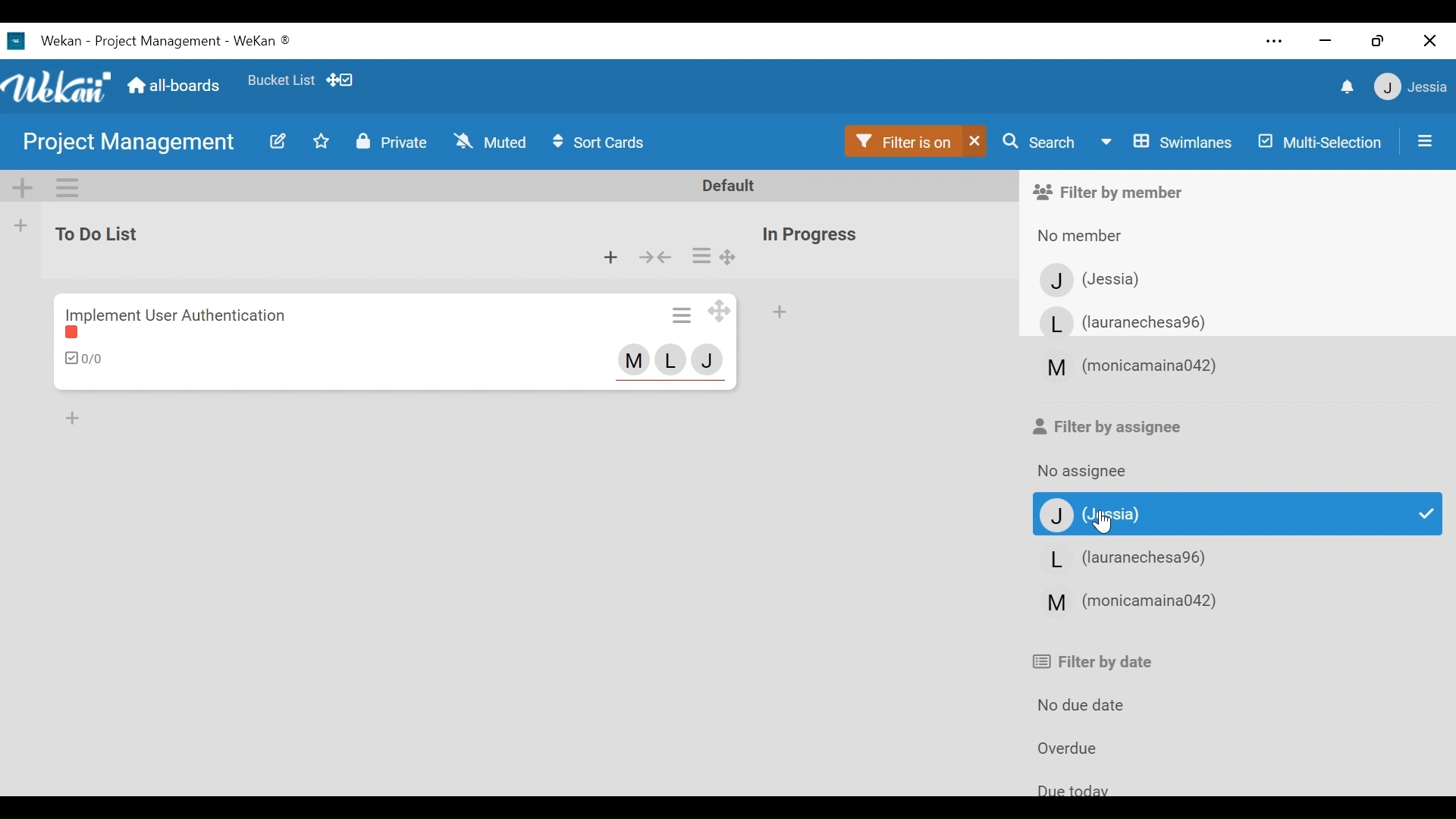 The image size is (1456, 819). What do you see at coordinates (72, 417) in the screenshot?
I see `Add card bottom of the list` at bounding box center [72, 417].